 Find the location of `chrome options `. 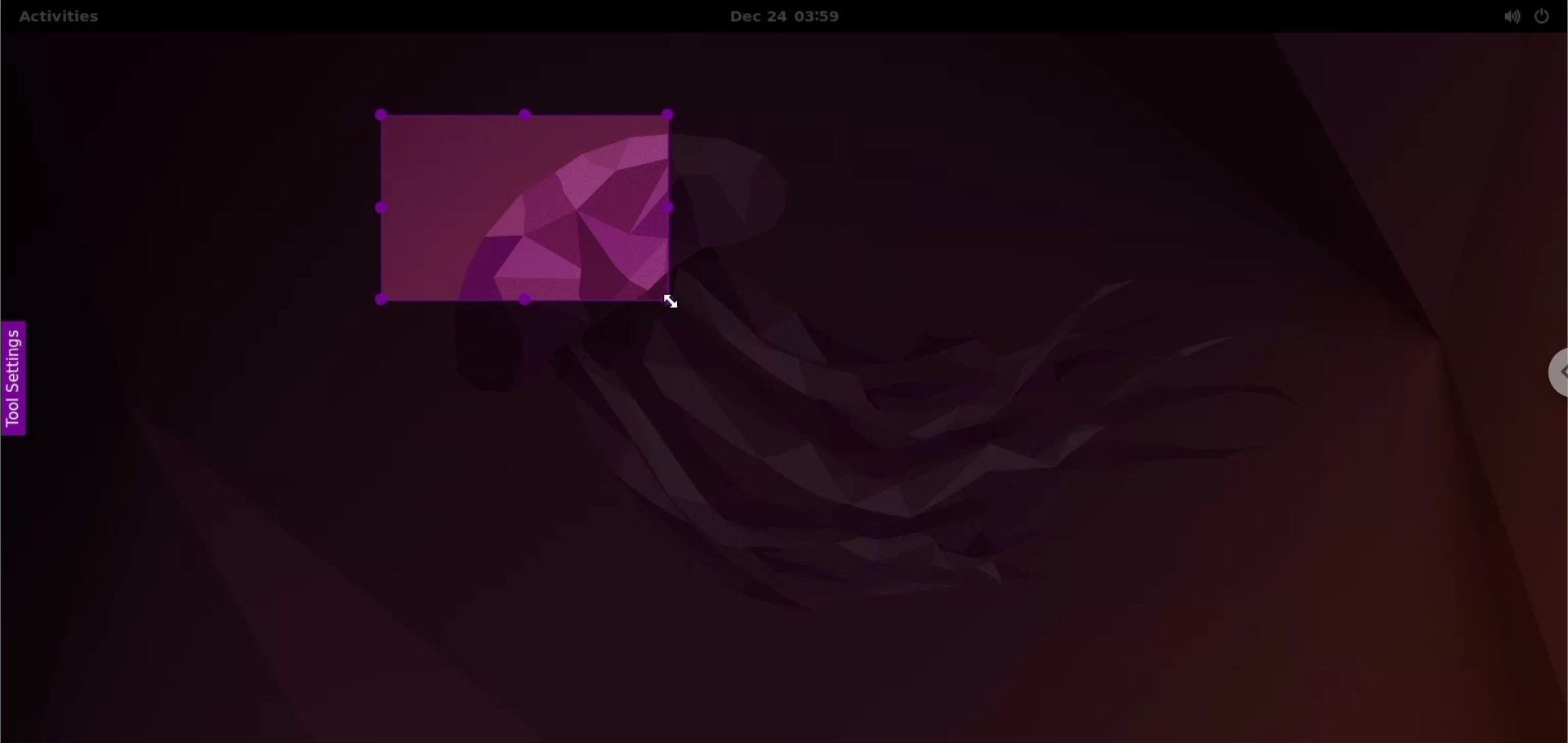

chrome options  is located at coordinates (1552, 376).